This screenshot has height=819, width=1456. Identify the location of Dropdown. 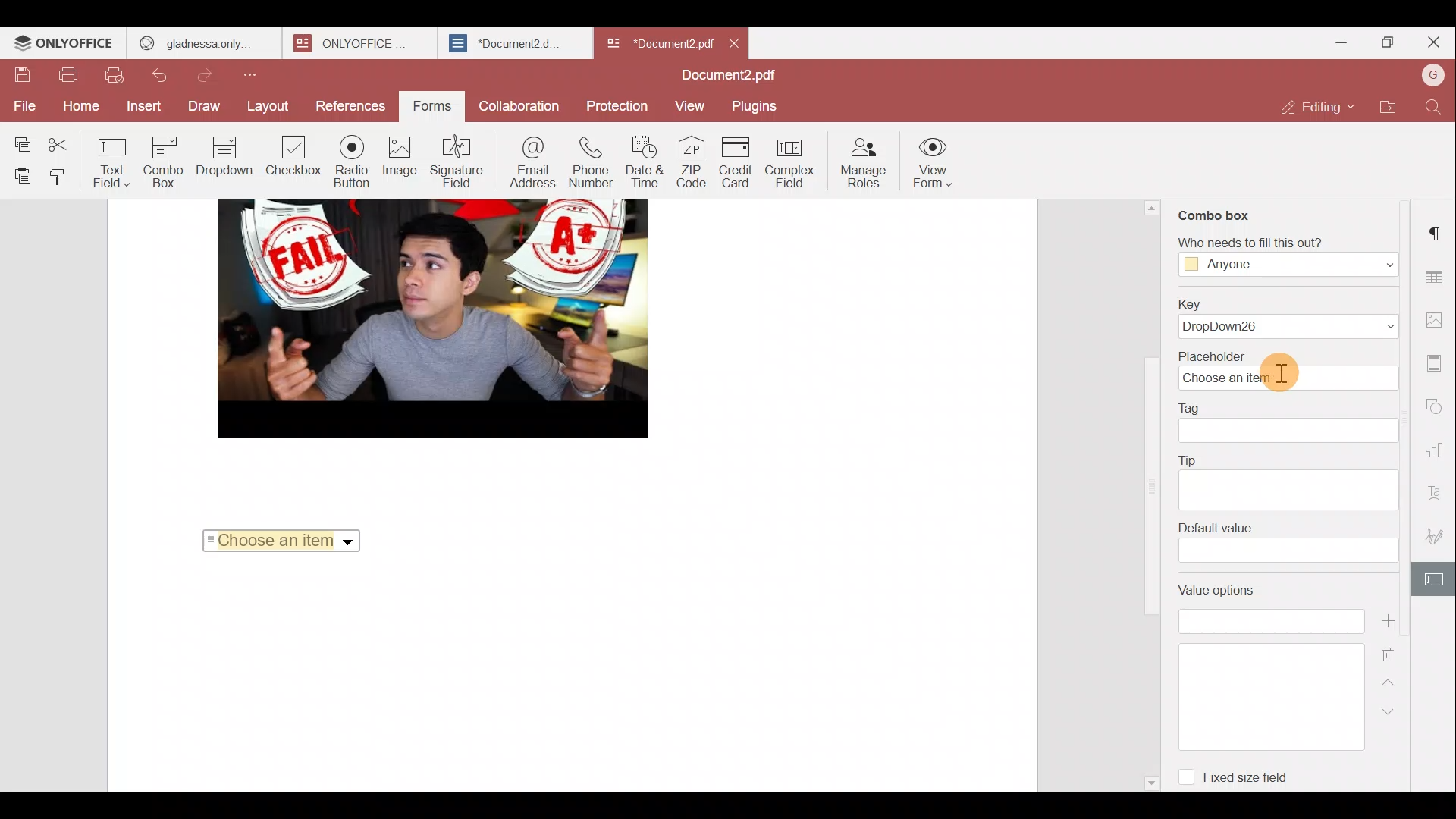
(227, 156).